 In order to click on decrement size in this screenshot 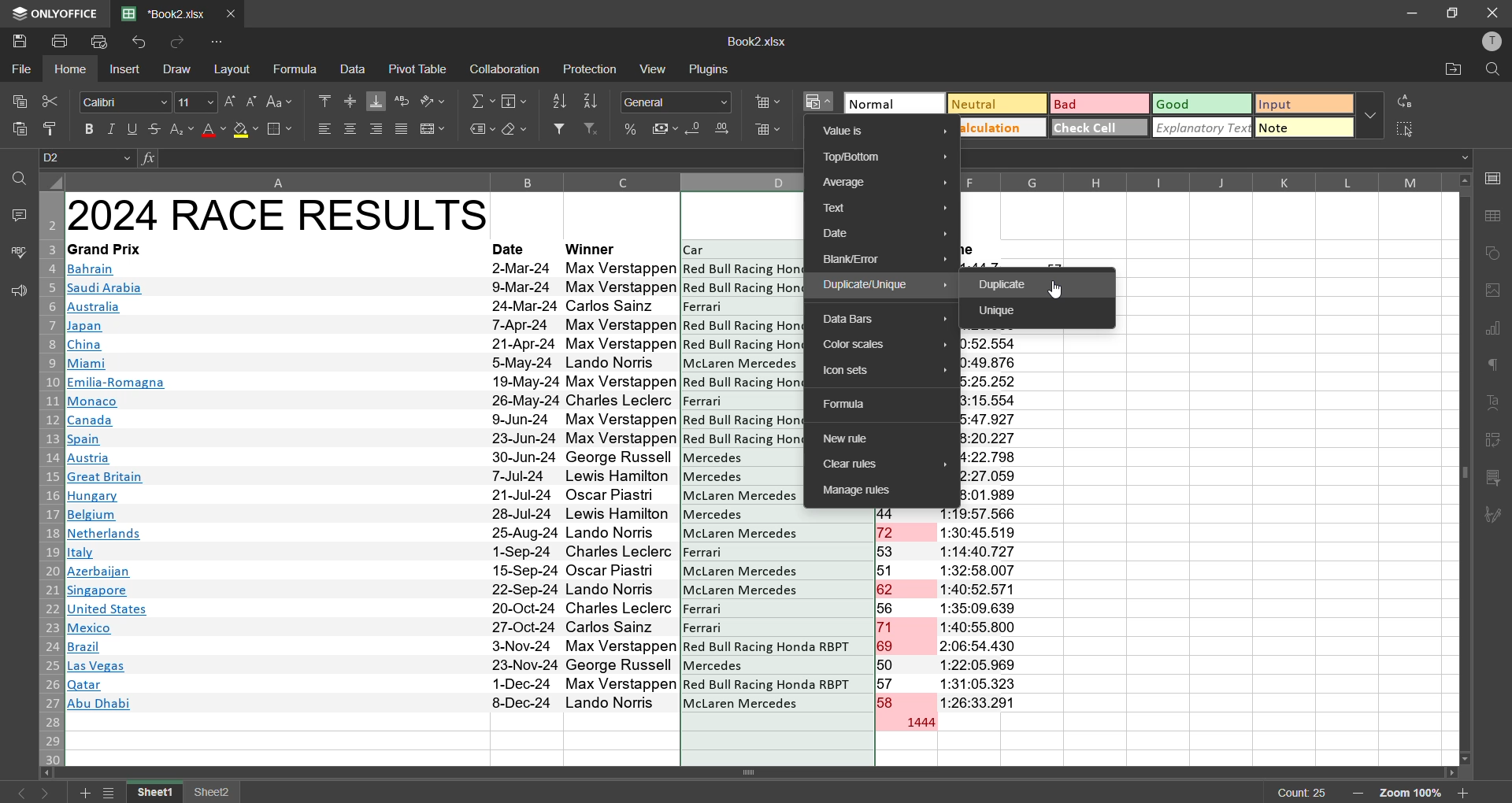, I will do `click(250, 101)`.